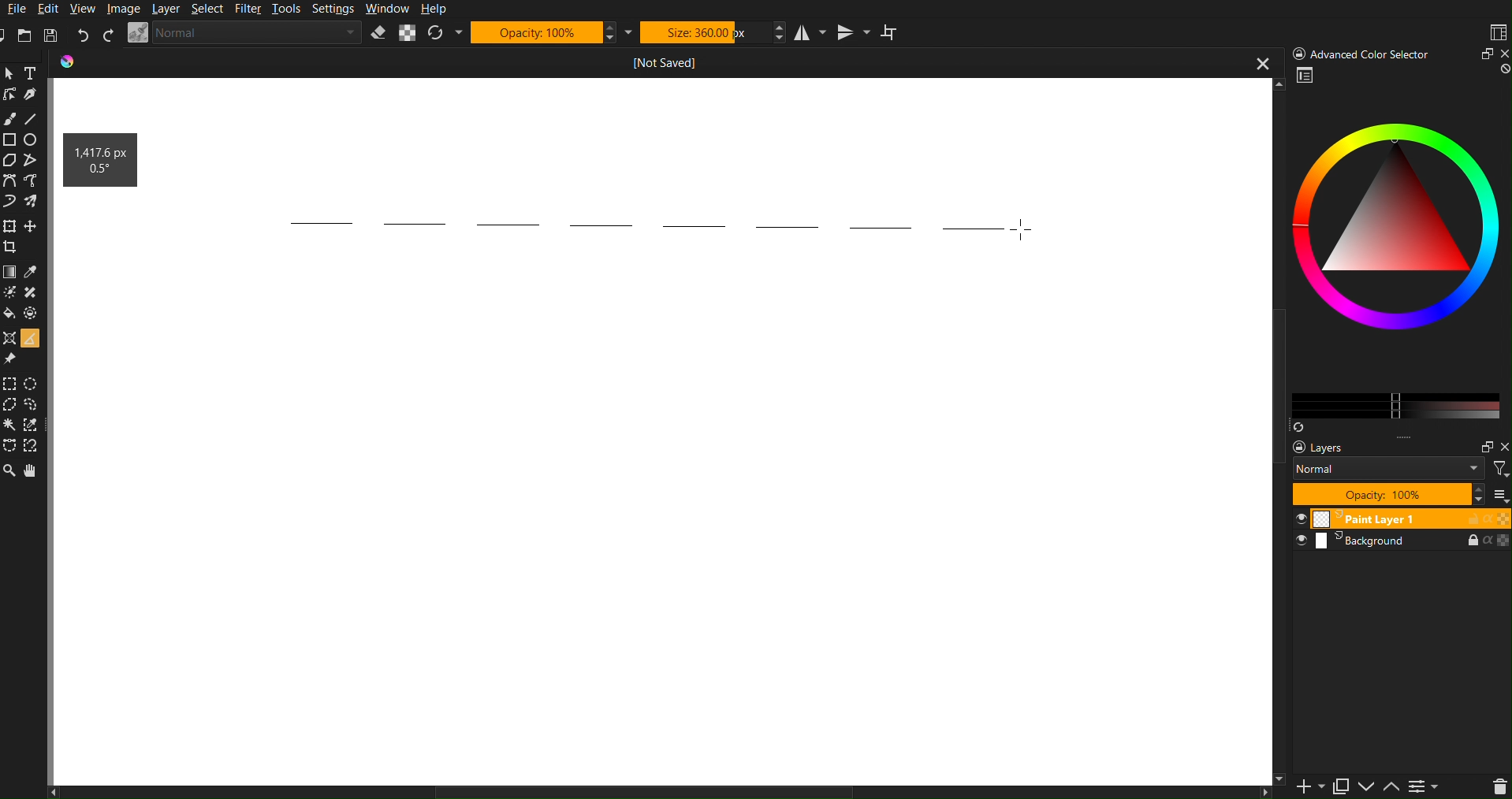  What do you see at coordinates (1396, 248) in the screenshot?
I see `Advanced Color Selector` at bounding box center [1396, 248].